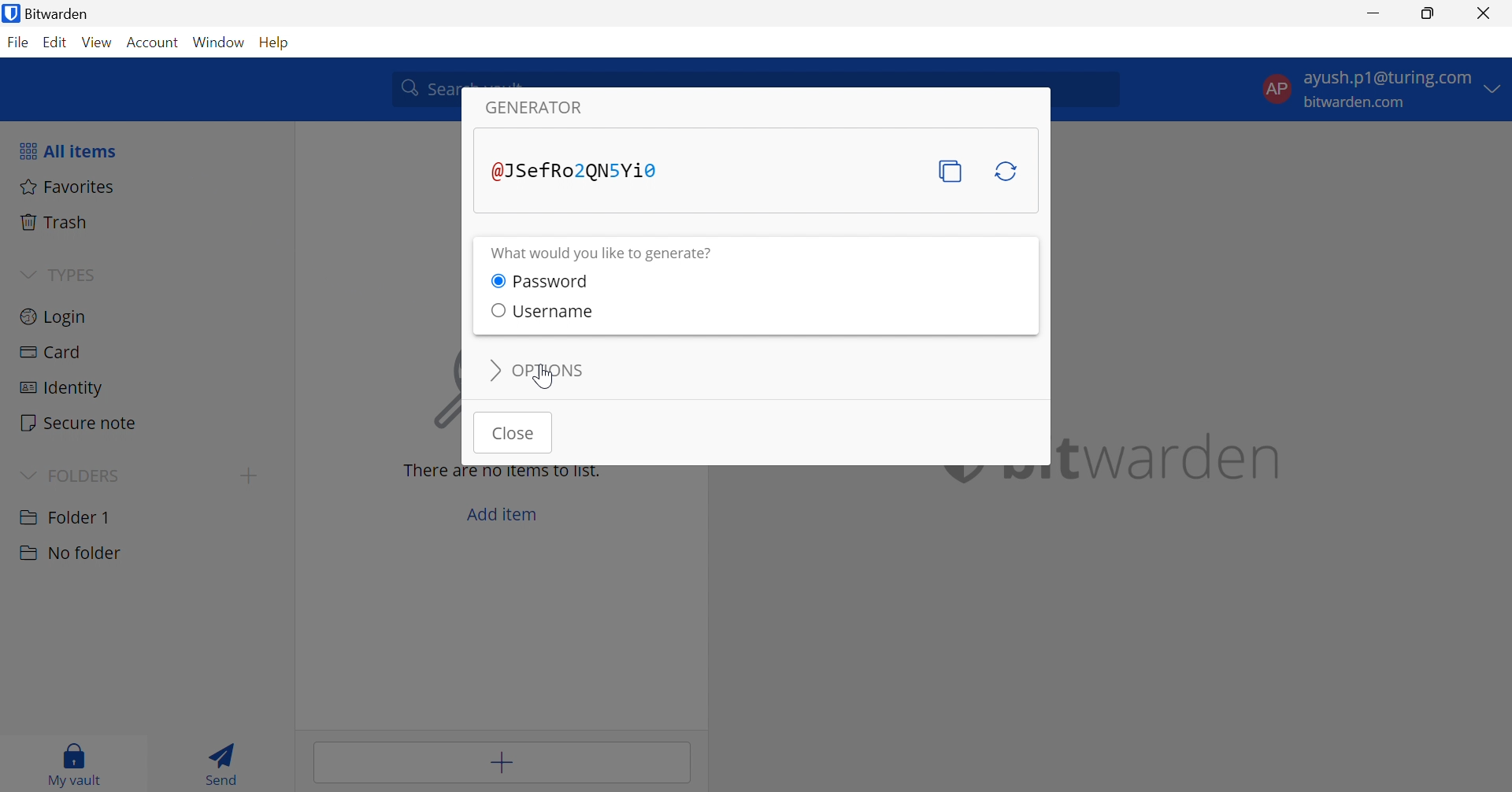 The height and width of the screenshot is (792, 1512). I want to click on Checkbox, so click(497, 309).